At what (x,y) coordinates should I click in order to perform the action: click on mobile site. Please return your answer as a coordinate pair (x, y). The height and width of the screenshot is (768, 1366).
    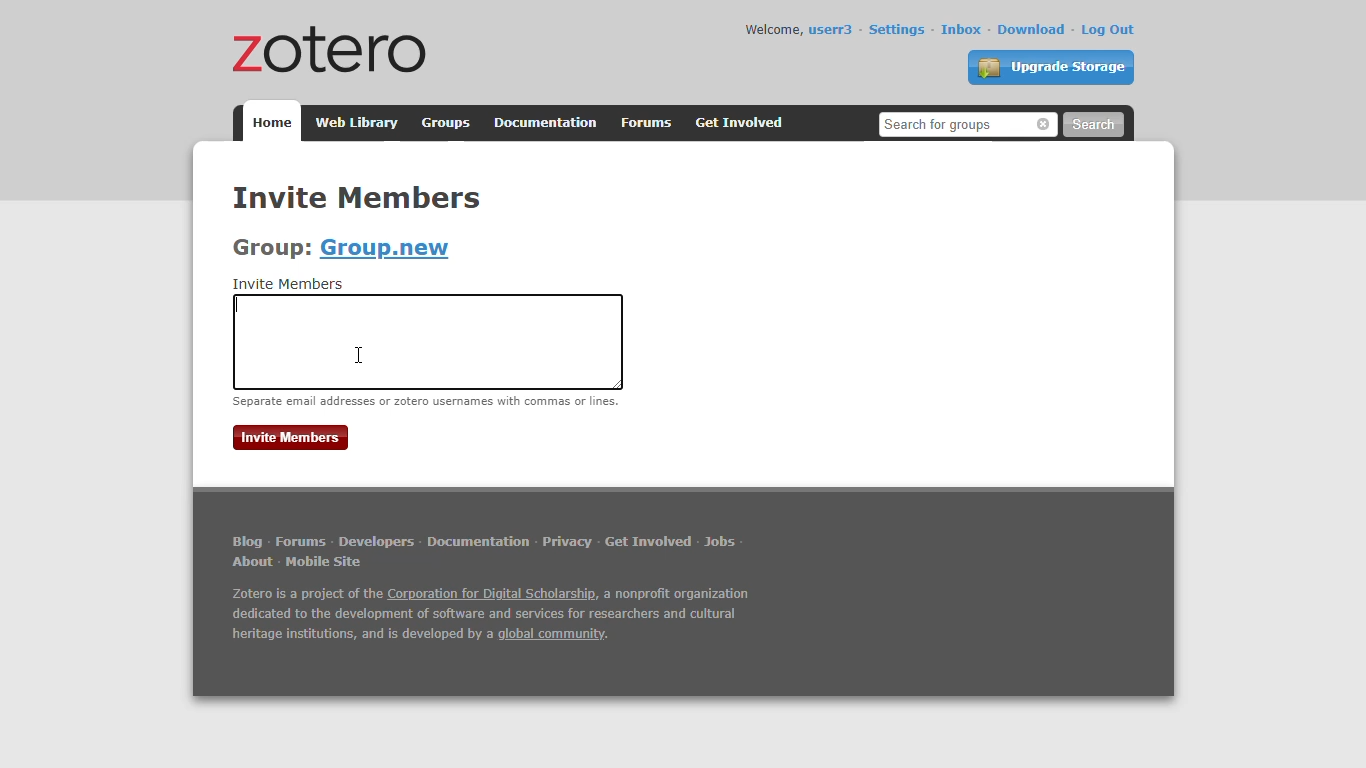
    Looking at the image, I should click on (326, 562).